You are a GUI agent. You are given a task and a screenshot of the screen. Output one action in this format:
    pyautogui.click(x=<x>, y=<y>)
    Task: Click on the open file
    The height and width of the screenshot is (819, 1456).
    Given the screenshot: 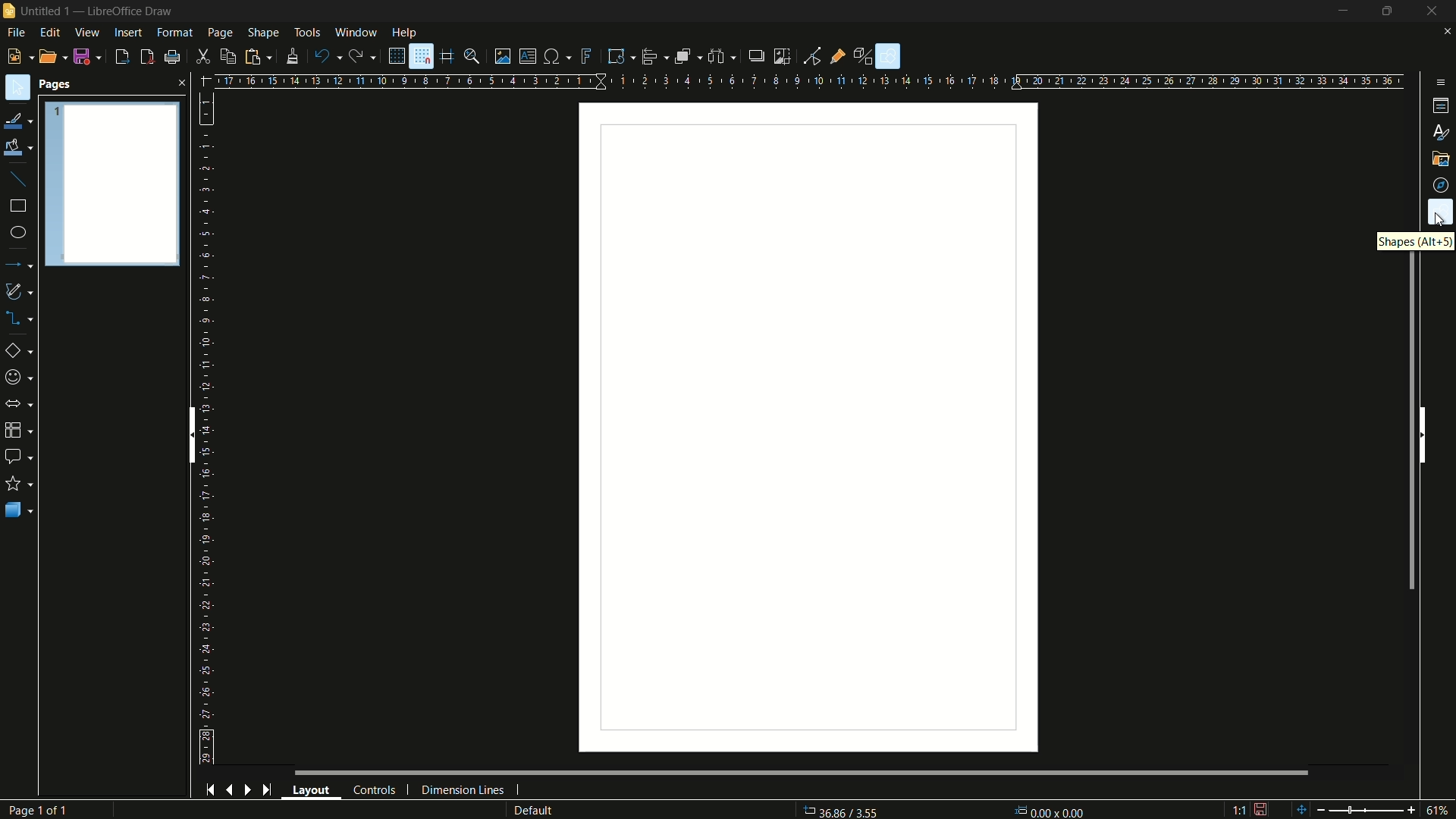 What is the action you would take?
    pyautogui.click(x=51, y=56)
    